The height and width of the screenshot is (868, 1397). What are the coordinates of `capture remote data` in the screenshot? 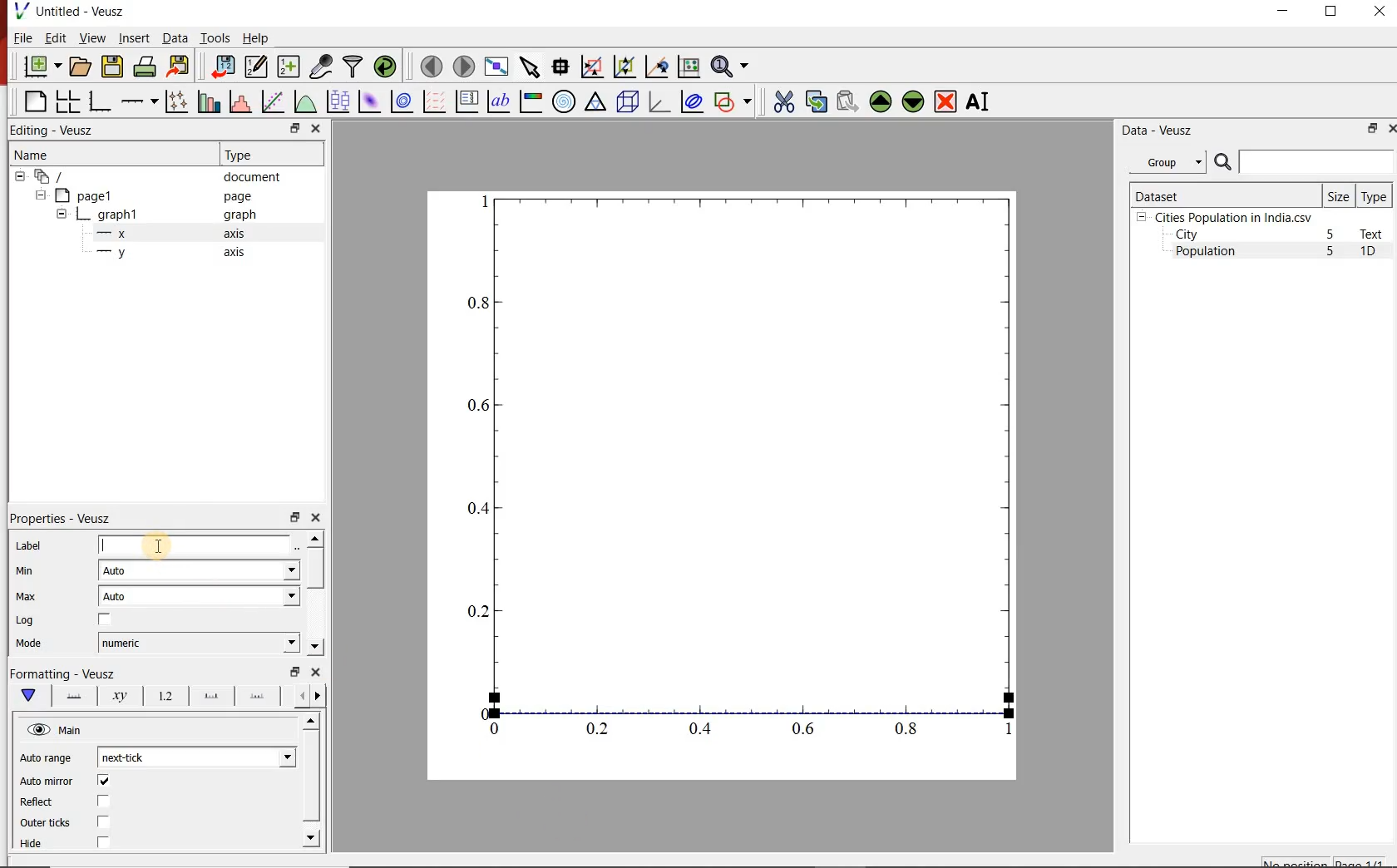 It's located at (319, 67).